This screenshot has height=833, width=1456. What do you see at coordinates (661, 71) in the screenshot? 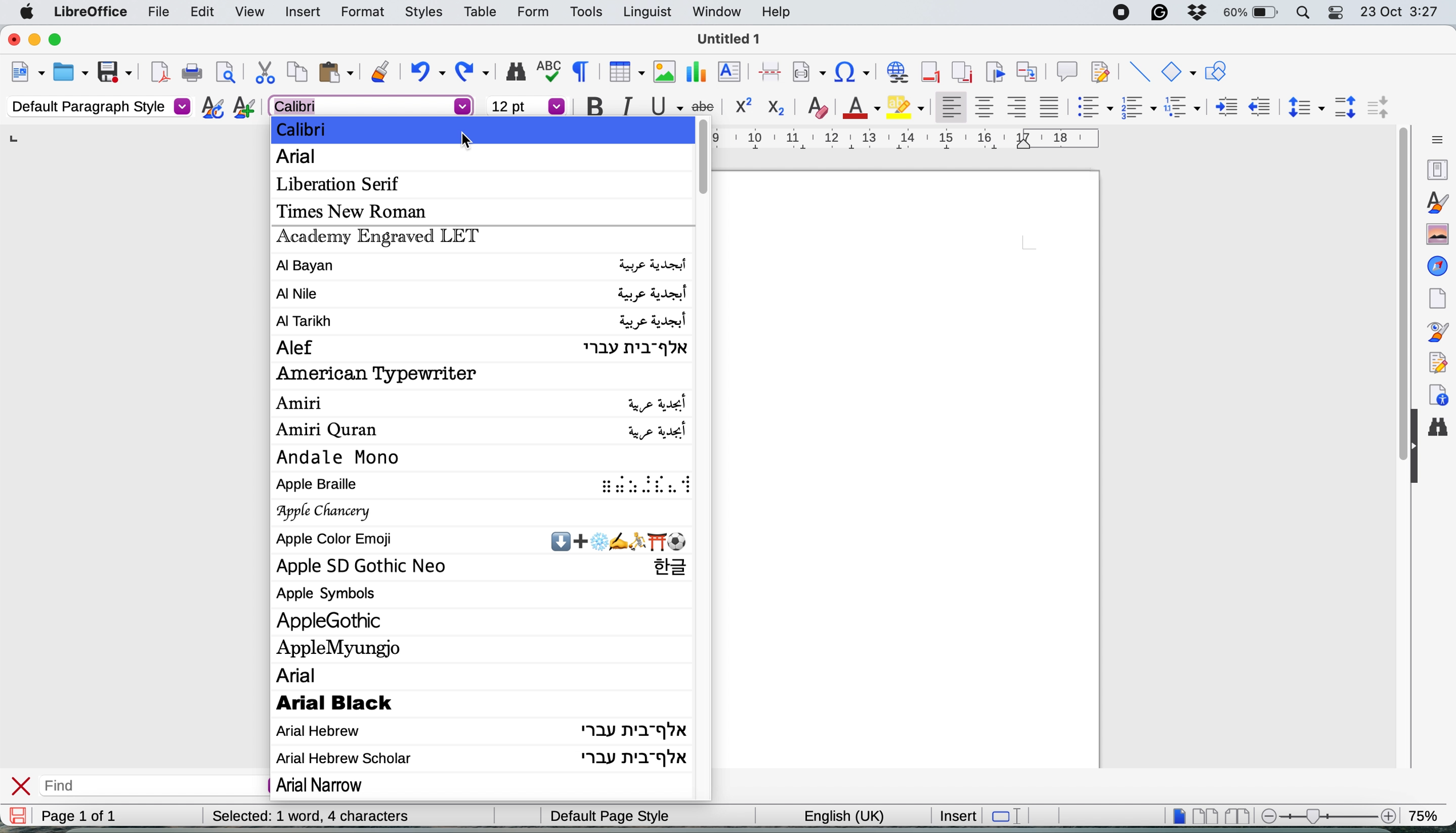
I see `insert image` at bounding box center [661, 71].